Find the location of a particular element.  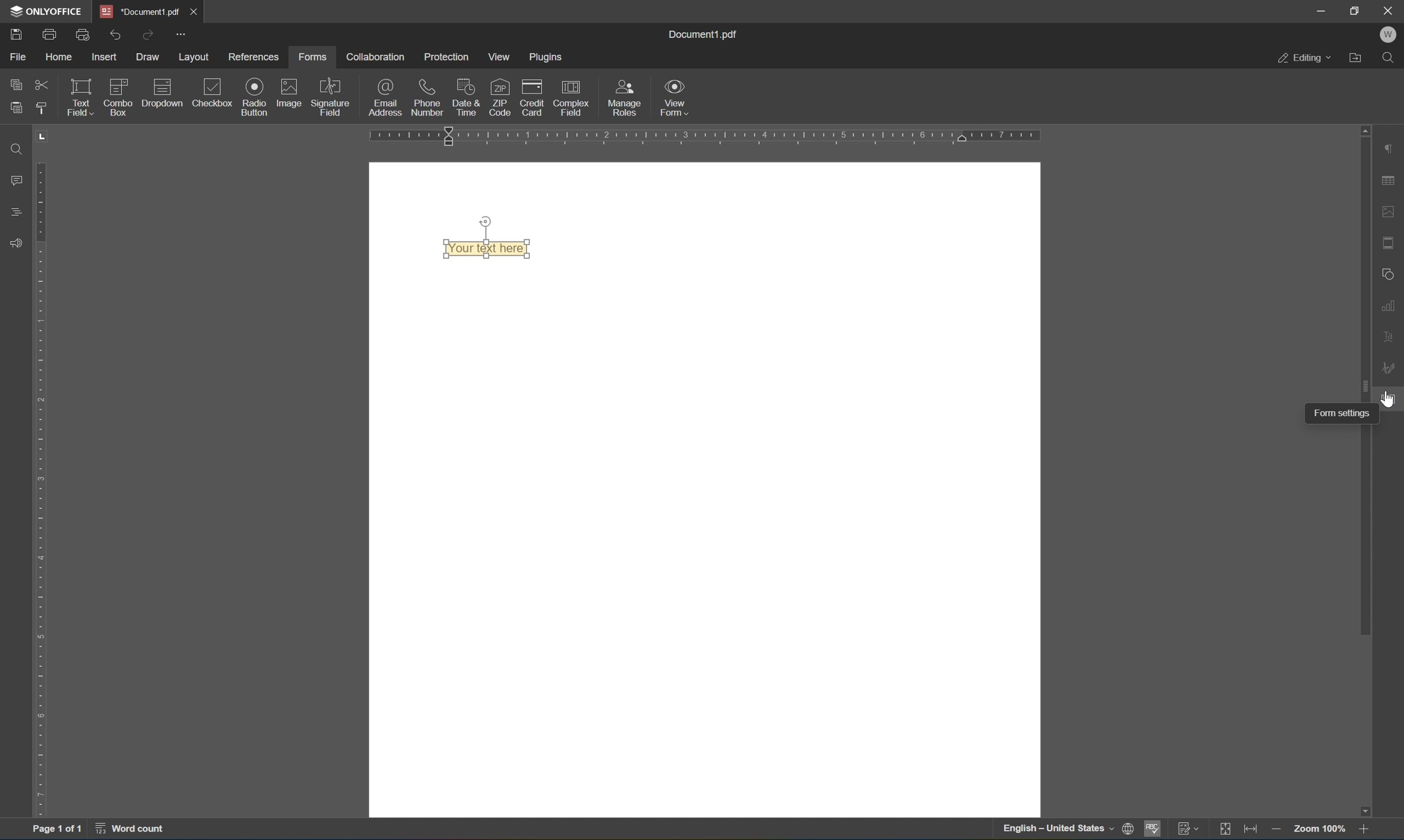

editing is located at coordinates (1304, 57).